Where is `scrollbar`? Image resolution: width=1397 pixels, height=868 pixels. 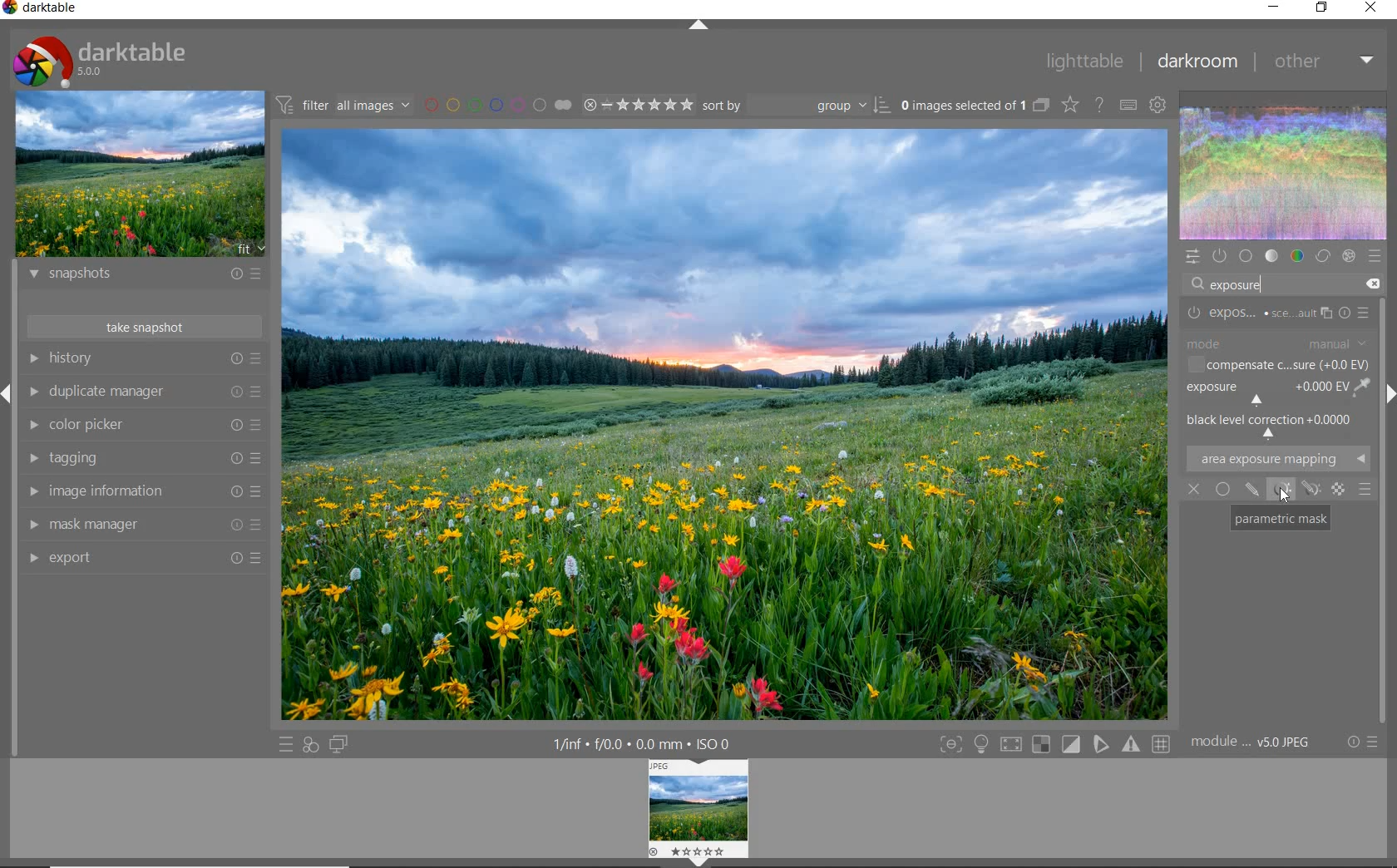 scrollbar is located at coordinates (1383, 452).